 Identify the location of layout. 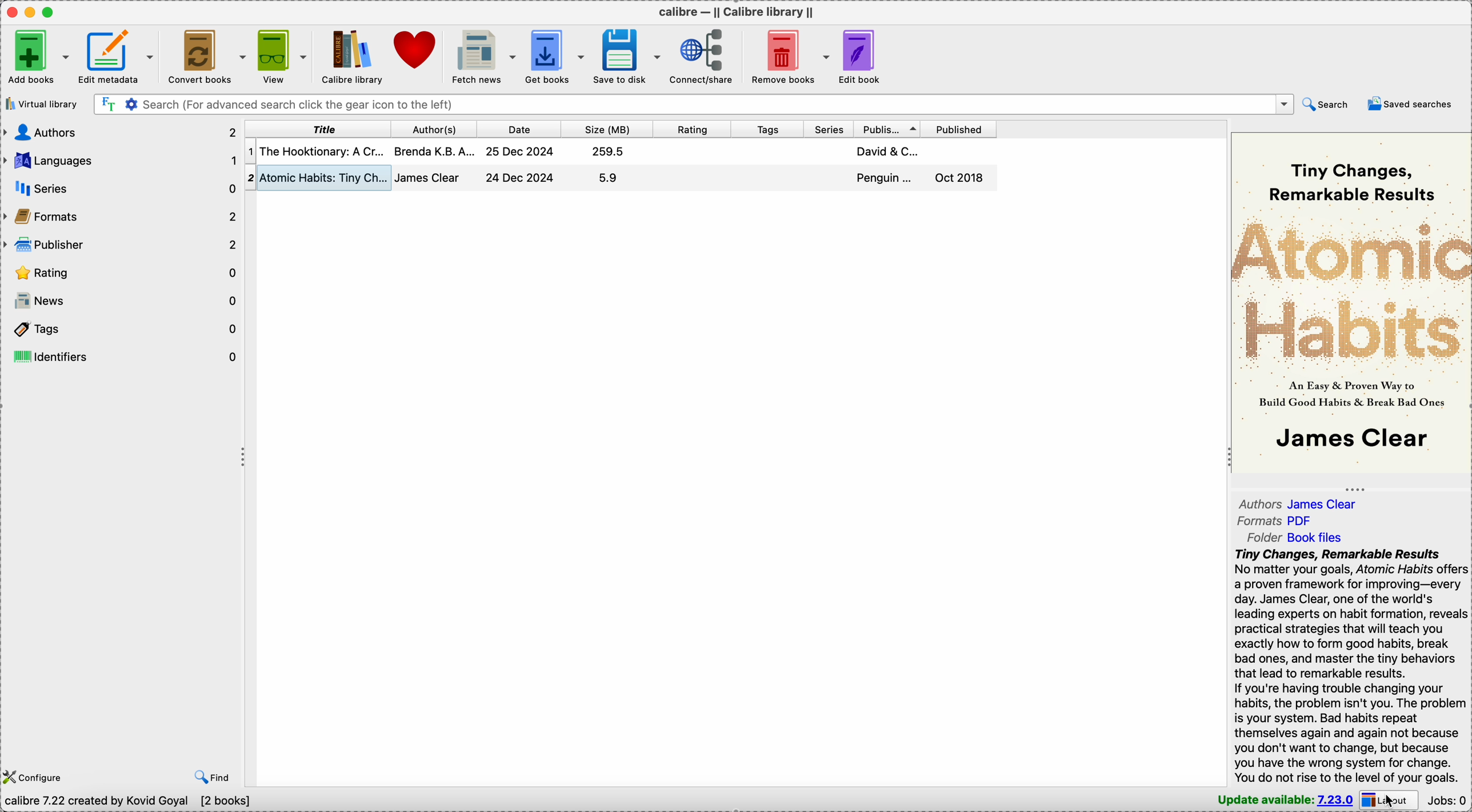
(1391, 800).